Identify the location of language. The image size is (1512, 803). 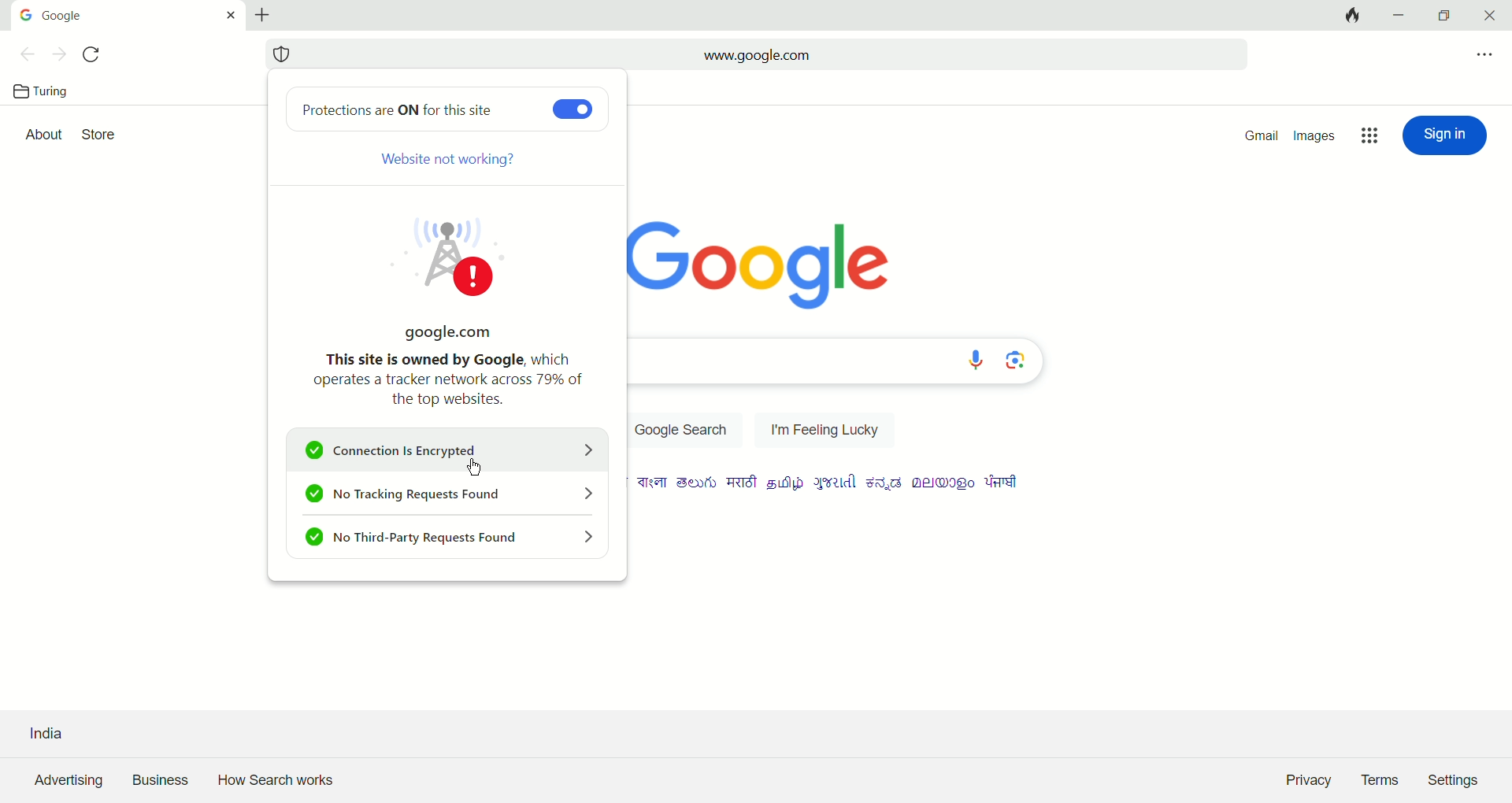
(1002, 481).